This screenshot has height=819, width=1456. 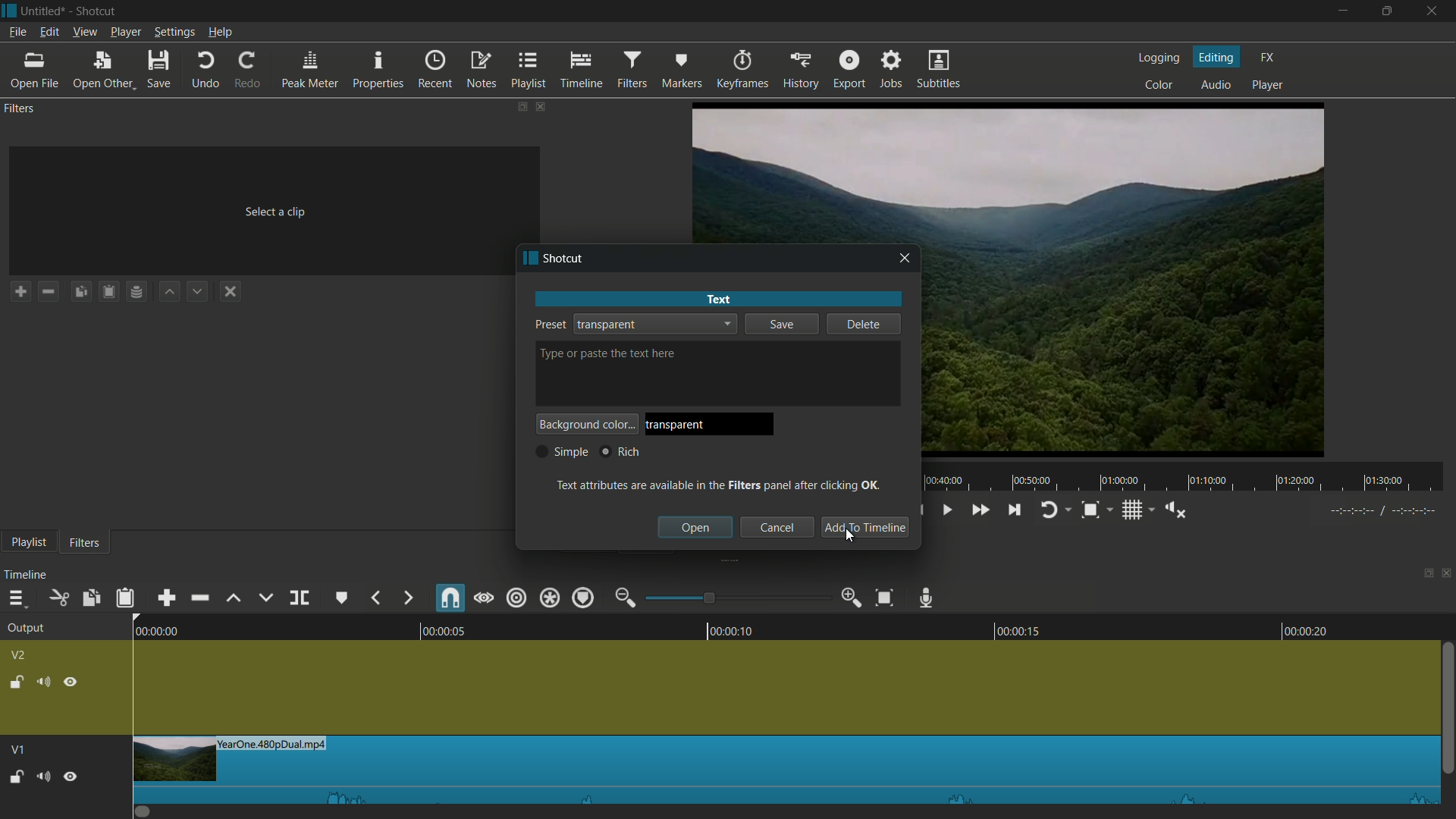 I want to click on 00:00:20, so click(x=1313, y=630).